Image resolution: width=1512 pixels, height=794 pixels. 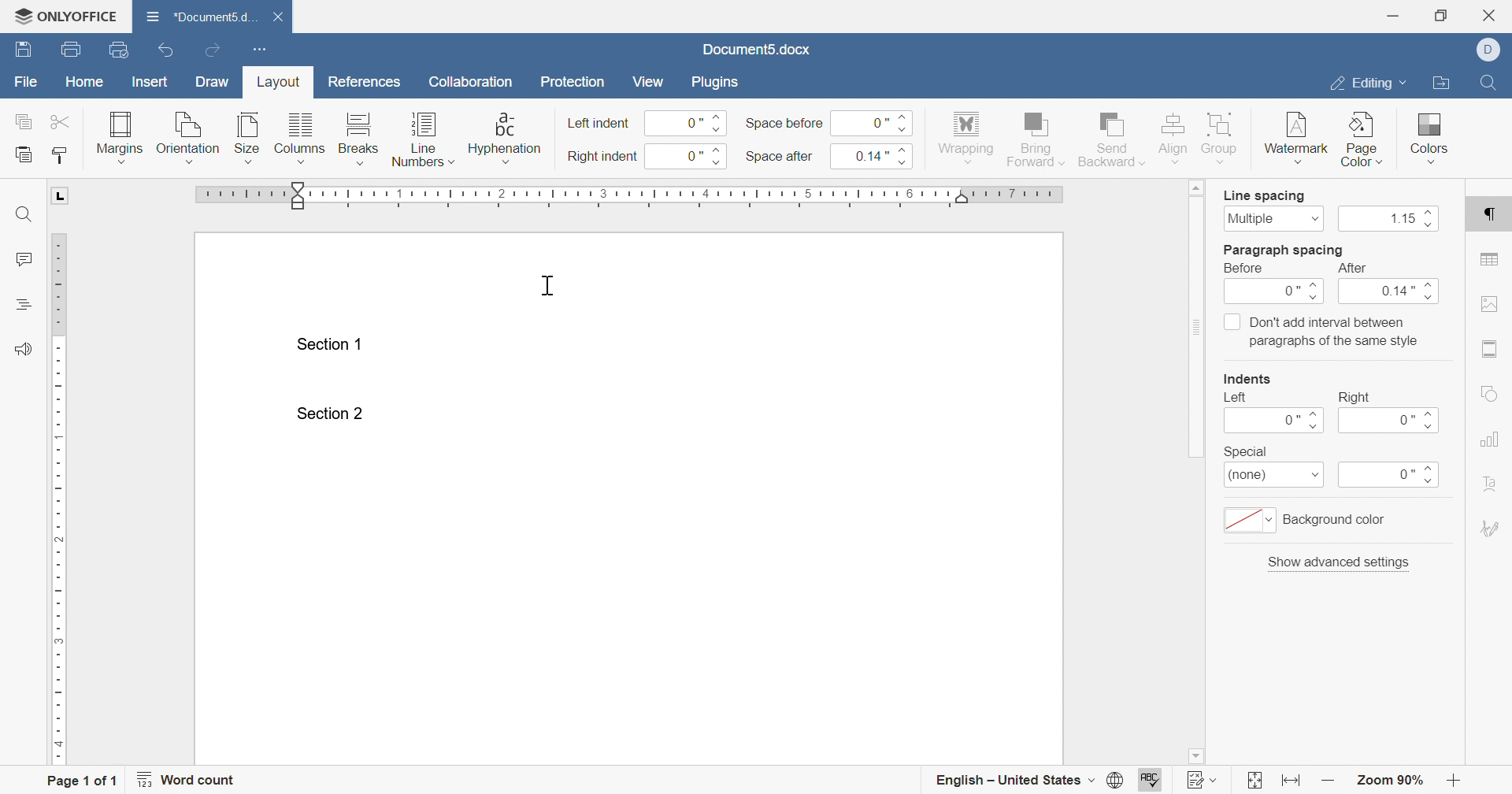 What do you see at coordinates (476, 85) in the screenshot?
I see `collaboration` at bounding box center [476, 85].